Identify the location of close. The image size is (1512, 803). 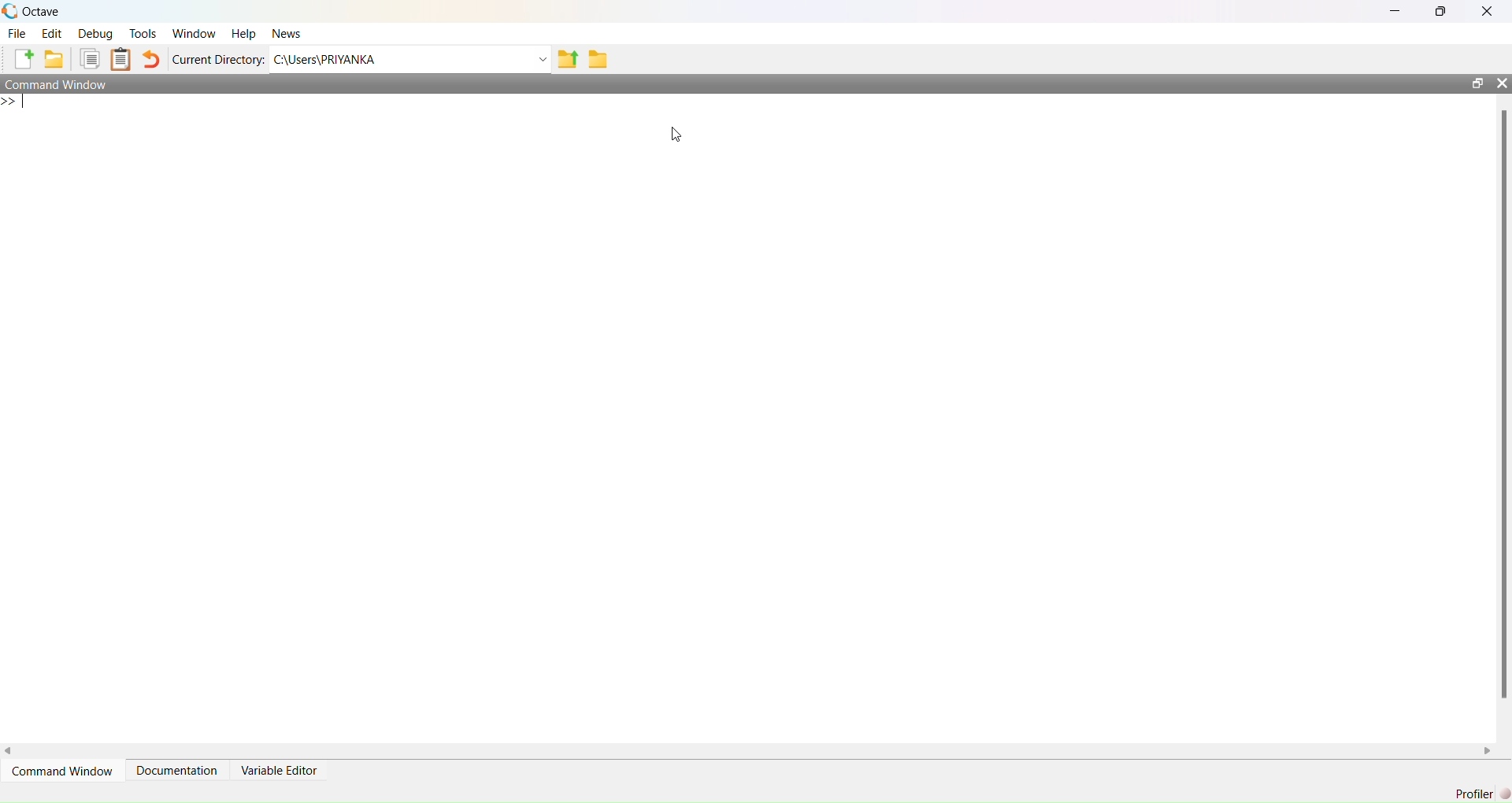
(1502, 83).